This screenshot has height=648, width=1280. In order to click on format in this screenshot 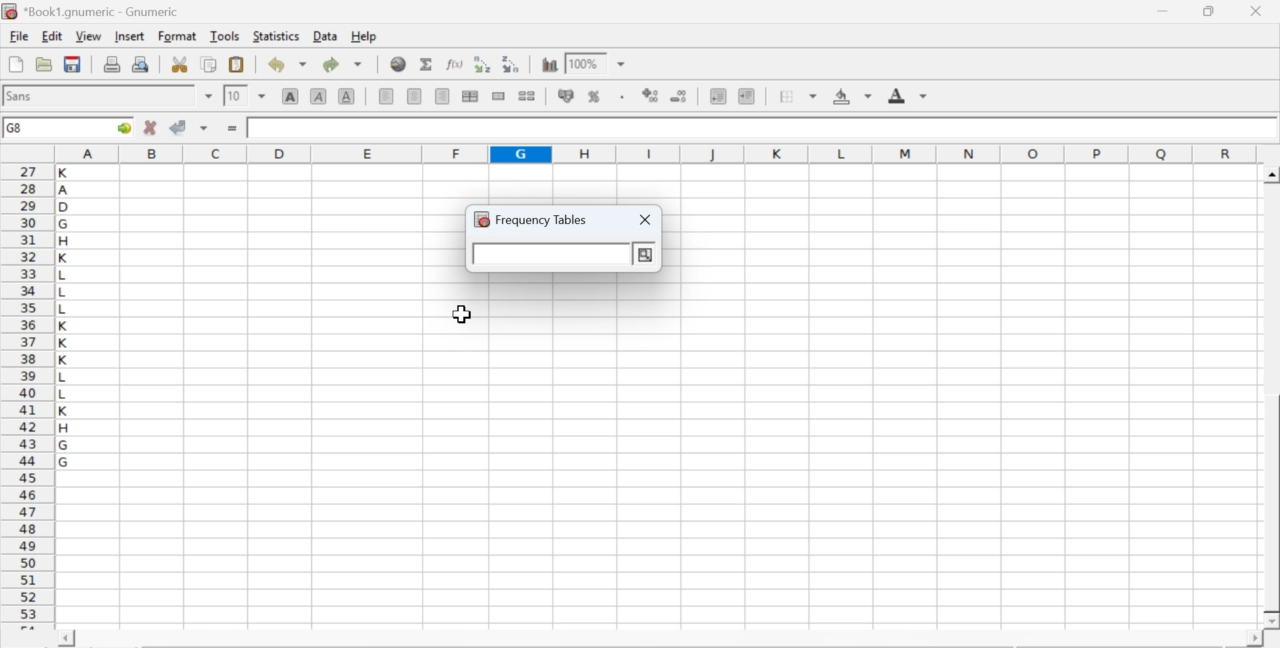, I will do `click(178, 36)`.